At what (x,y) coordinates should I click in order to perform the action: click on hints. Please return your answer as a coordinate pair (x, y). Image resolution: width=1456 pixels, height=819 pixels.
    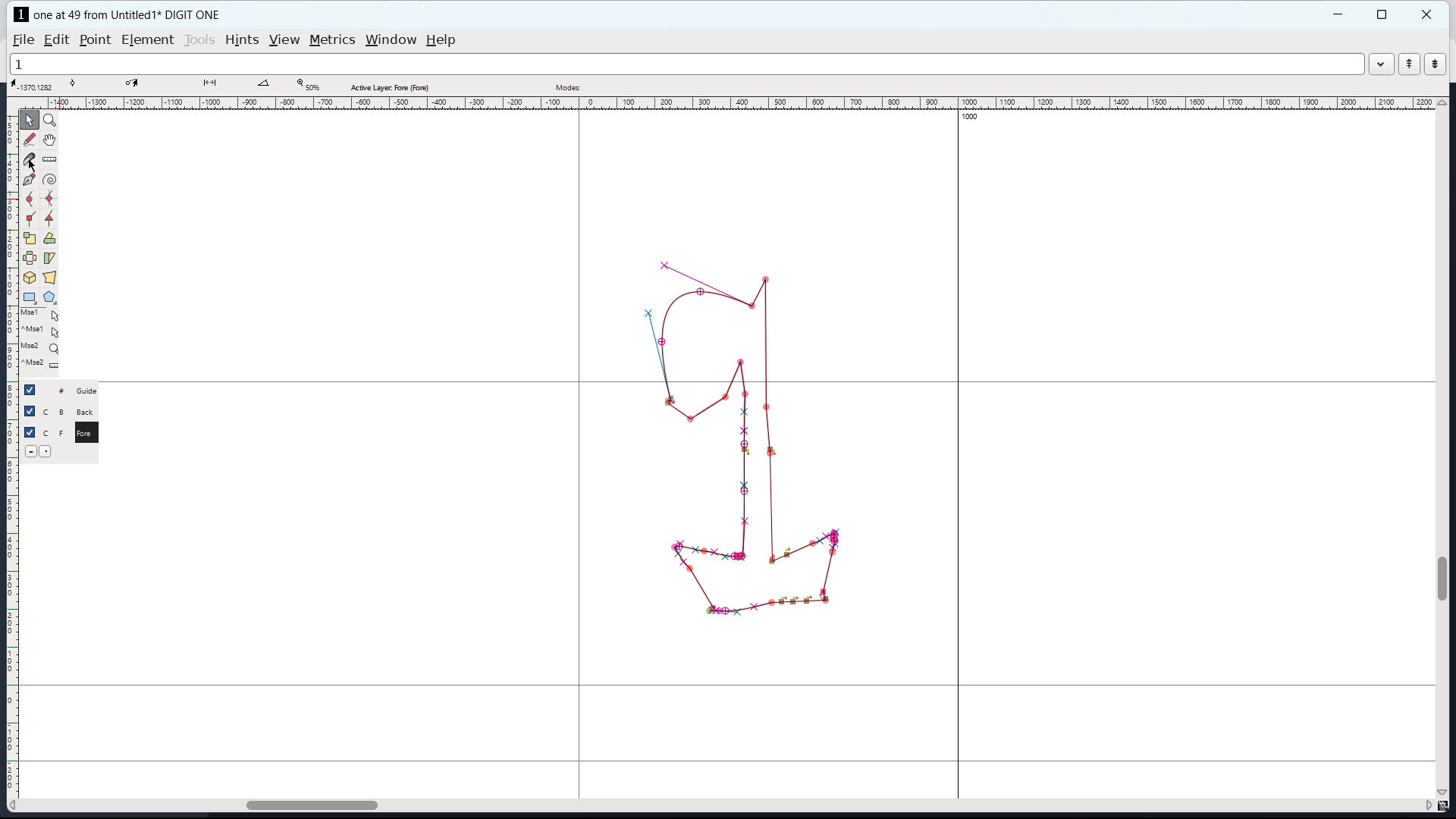
    Looking at the image, I should click on (242, 39).